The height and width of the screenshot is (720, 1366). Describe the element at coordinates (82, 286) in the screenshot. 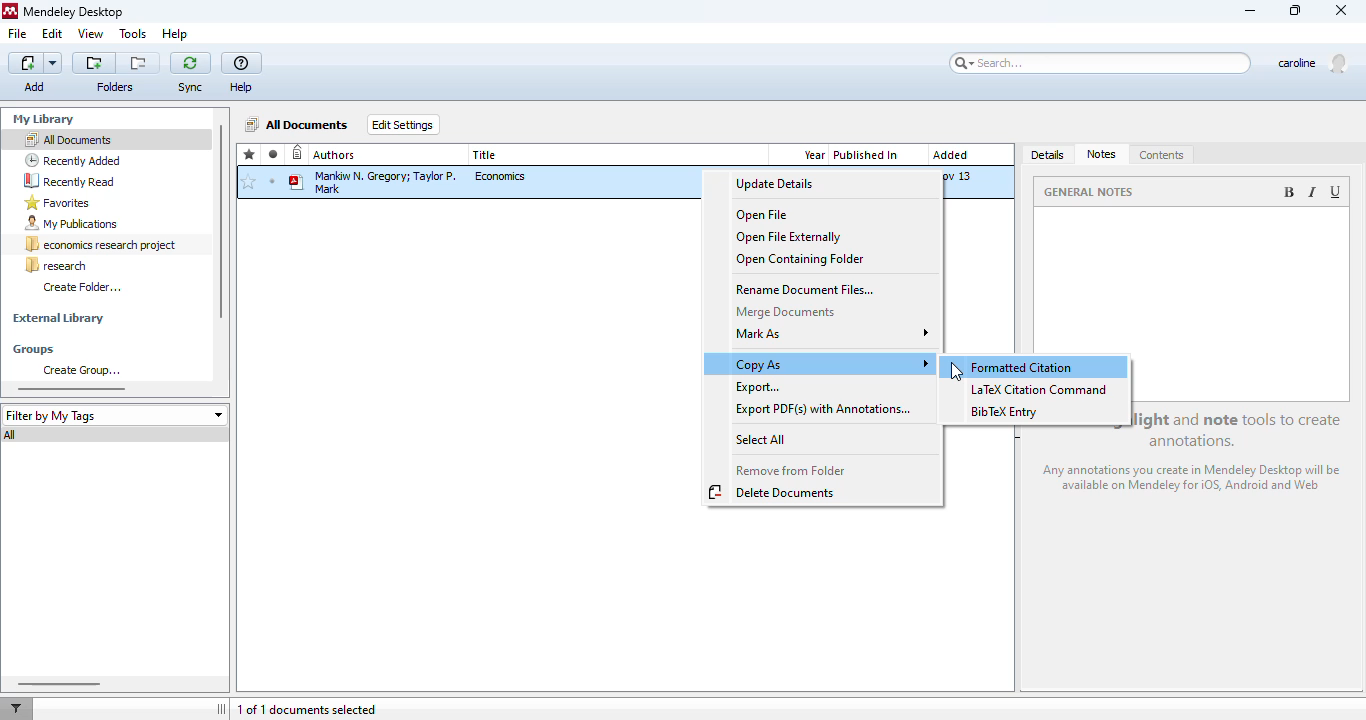

I see `create folder` at that location.